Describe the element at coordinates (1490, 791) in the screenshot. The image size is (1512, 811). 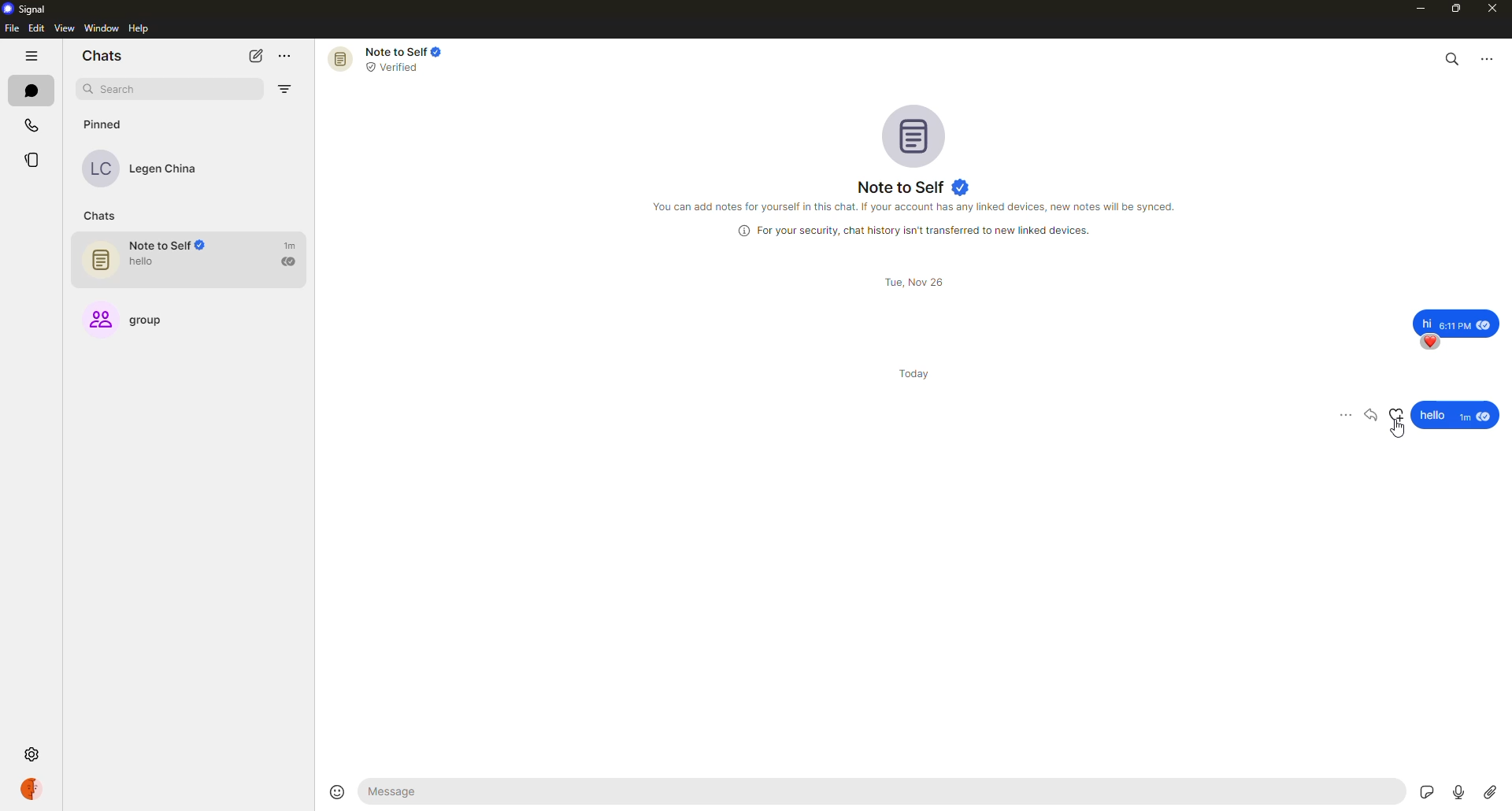
I see `attach` at that location.